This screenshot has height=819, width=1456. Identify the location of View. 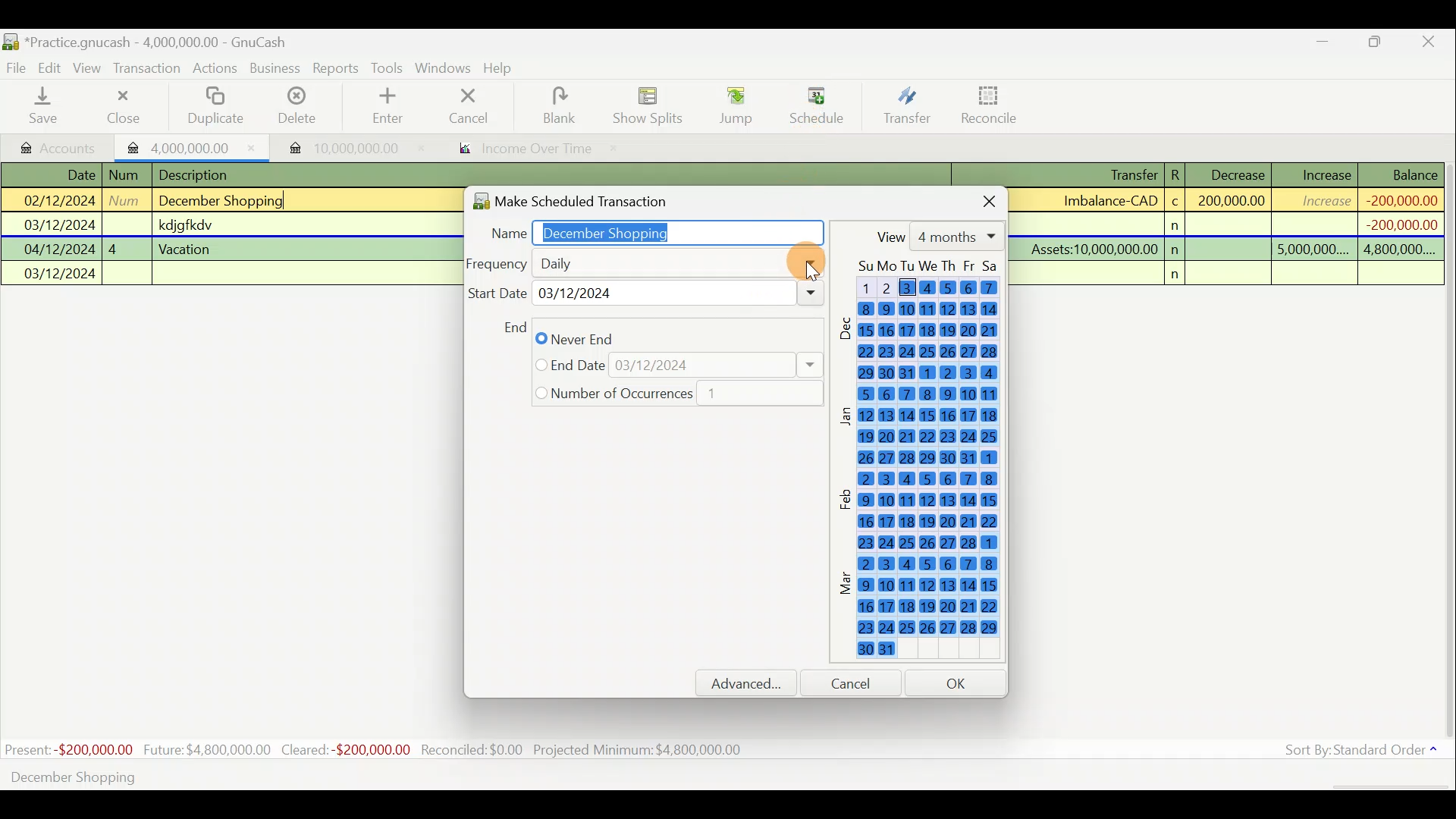
(937, 236).